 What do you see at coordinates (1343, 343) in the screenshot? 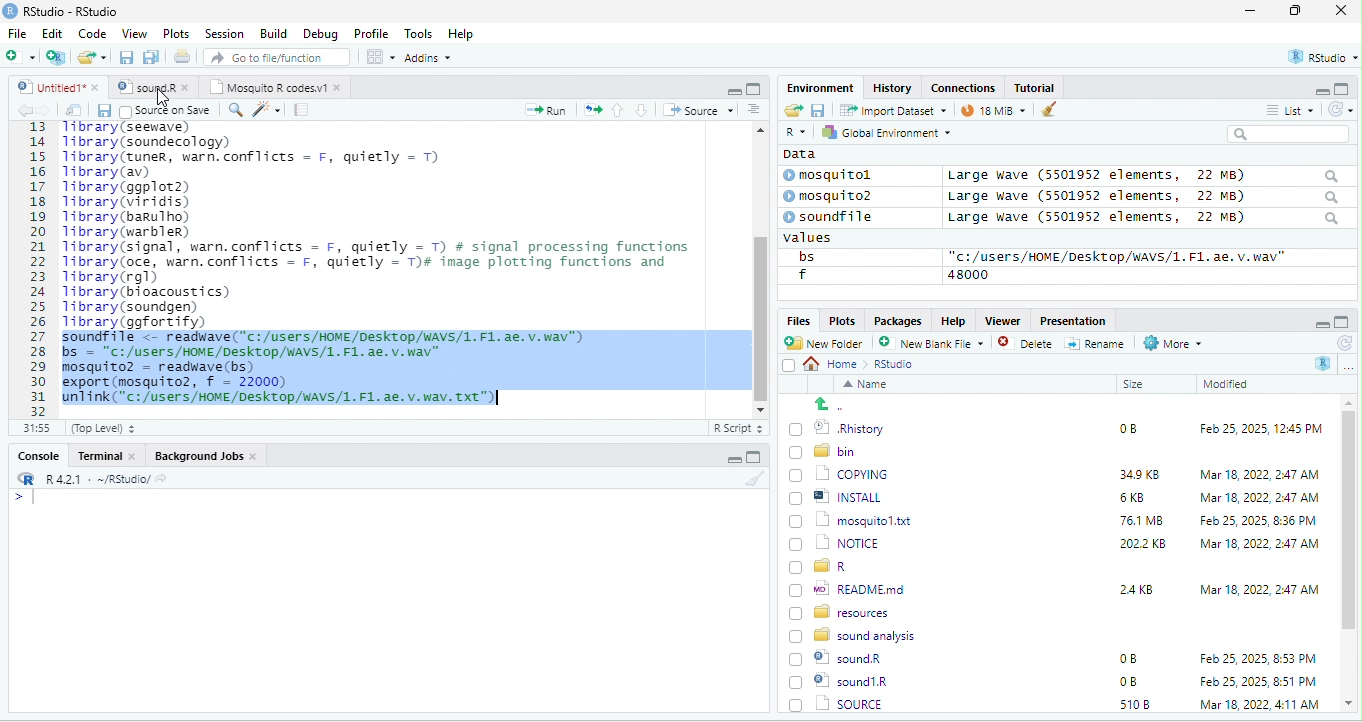
I see `refresh` at bounding box center [1343, 343].